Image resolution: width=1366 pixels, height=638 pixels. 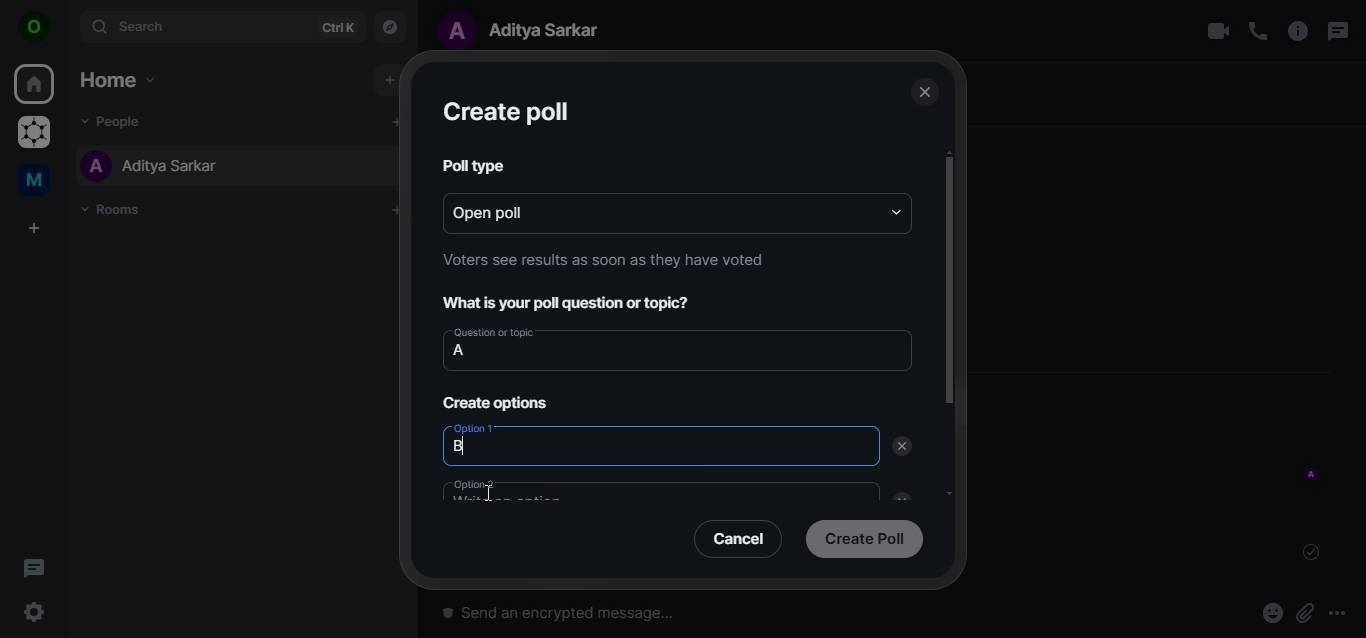 What do you see at coordinates (220, 26) in the screenshot?
I see `search` at bounding box center [220, 26].